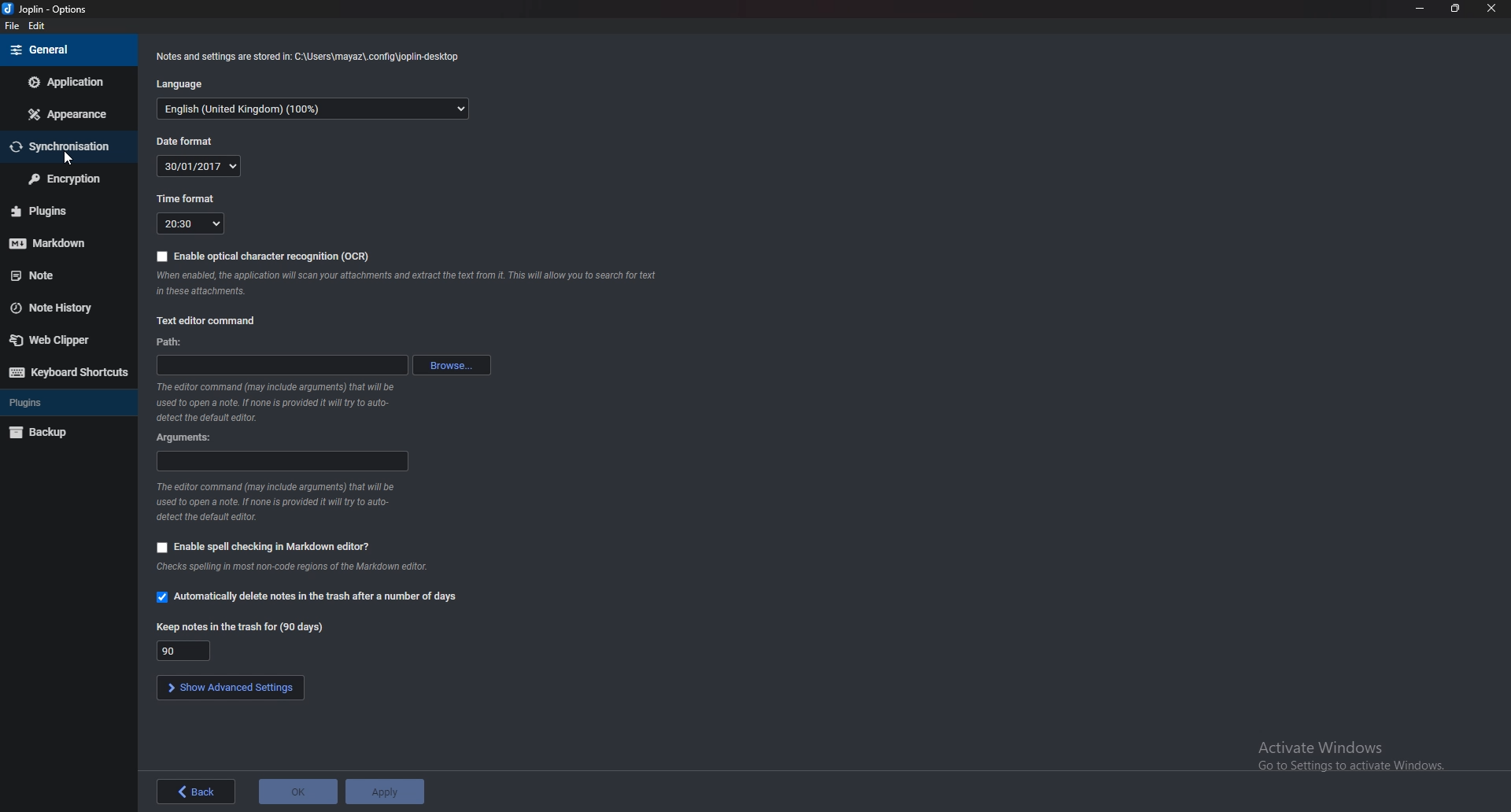  What do you see at coordinates (192, 223) in the screenshot?
I see `time` at bounding box center [192, 223].